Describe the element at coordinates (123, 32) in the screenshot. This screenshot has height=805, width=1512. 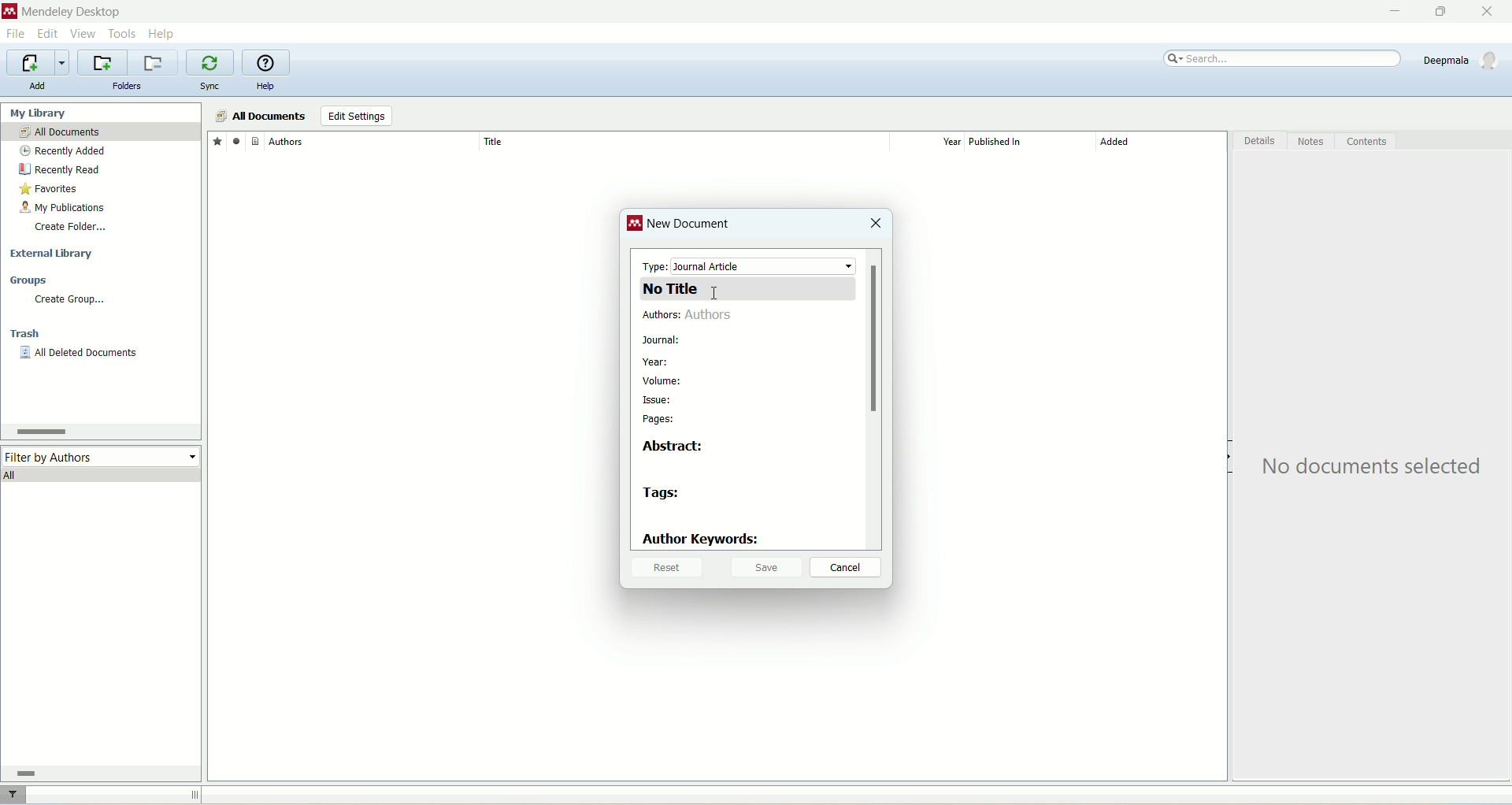
I see `tools` at that location.